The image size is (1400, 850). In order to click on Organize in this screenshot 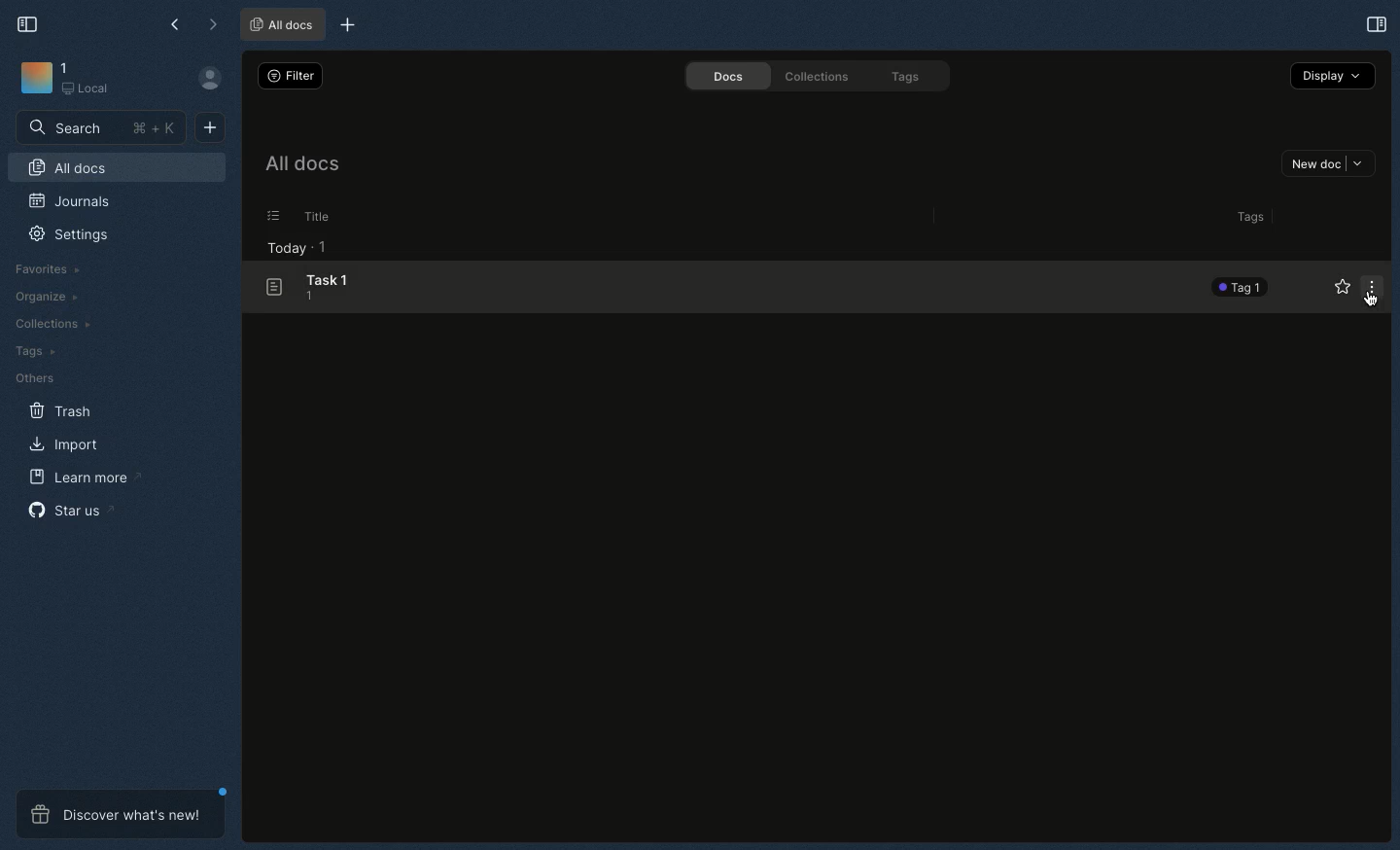, I will do `click(44, 297)`.